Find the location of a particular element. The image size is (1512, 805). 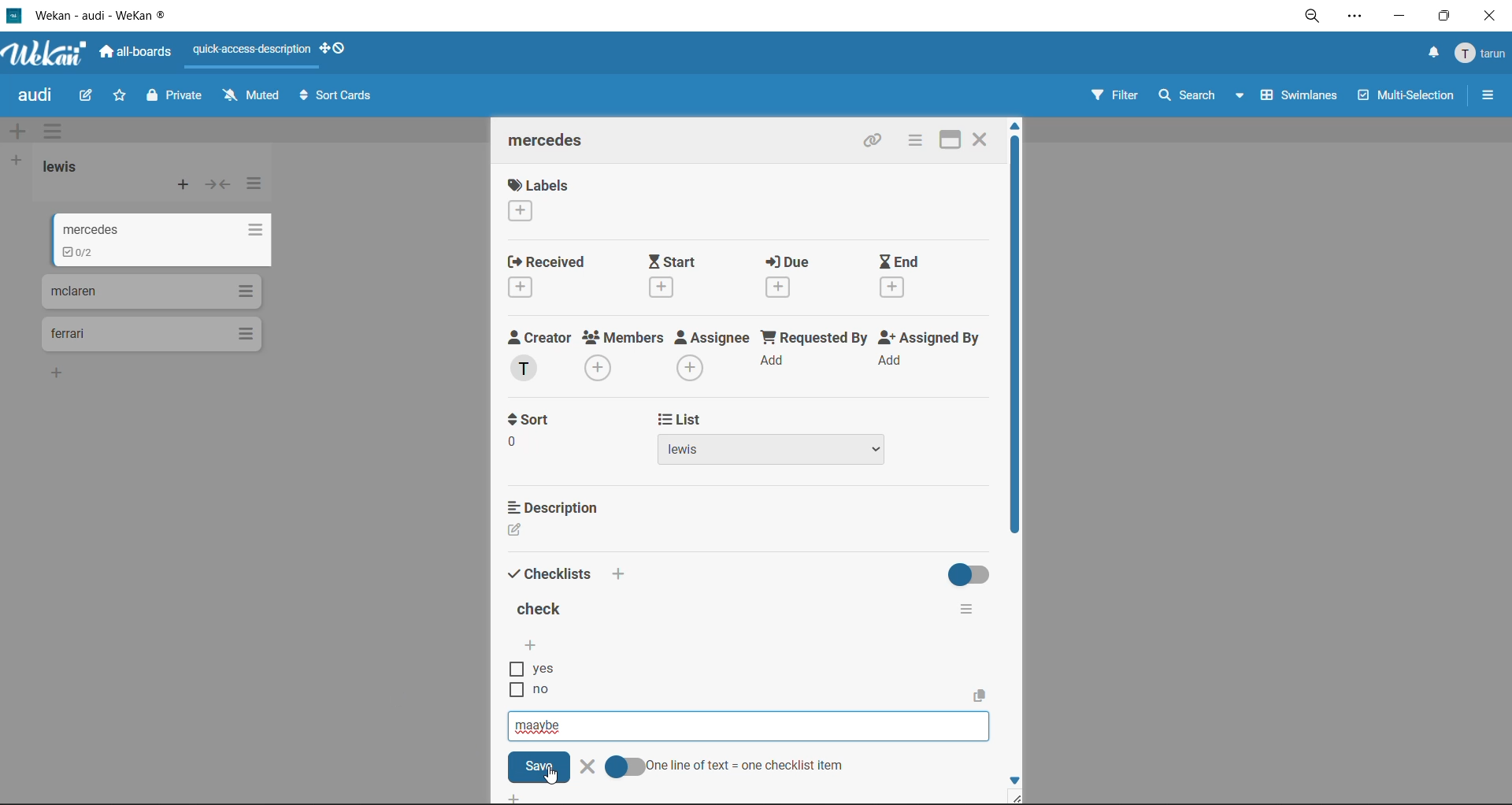

edit is located at coordinates (88, 98).